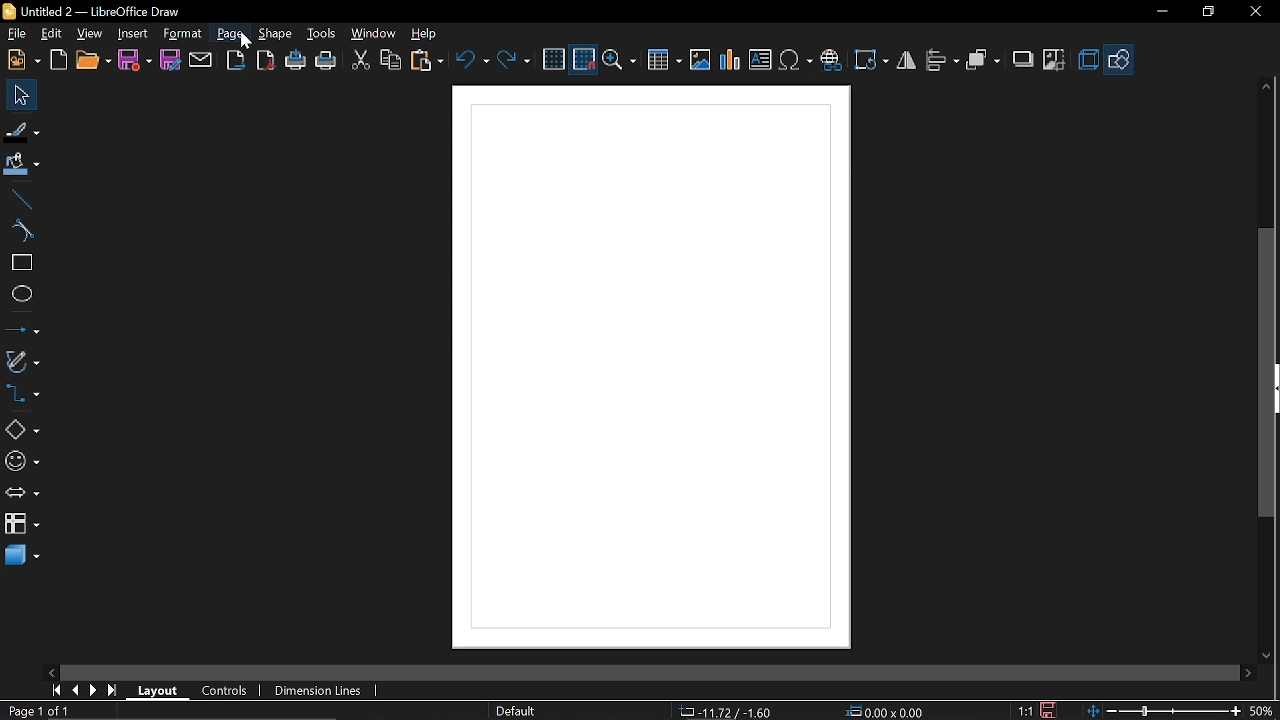  Describe the element at coordinates (20, 297) in the screenshot. I see `Ellipse` at that location.